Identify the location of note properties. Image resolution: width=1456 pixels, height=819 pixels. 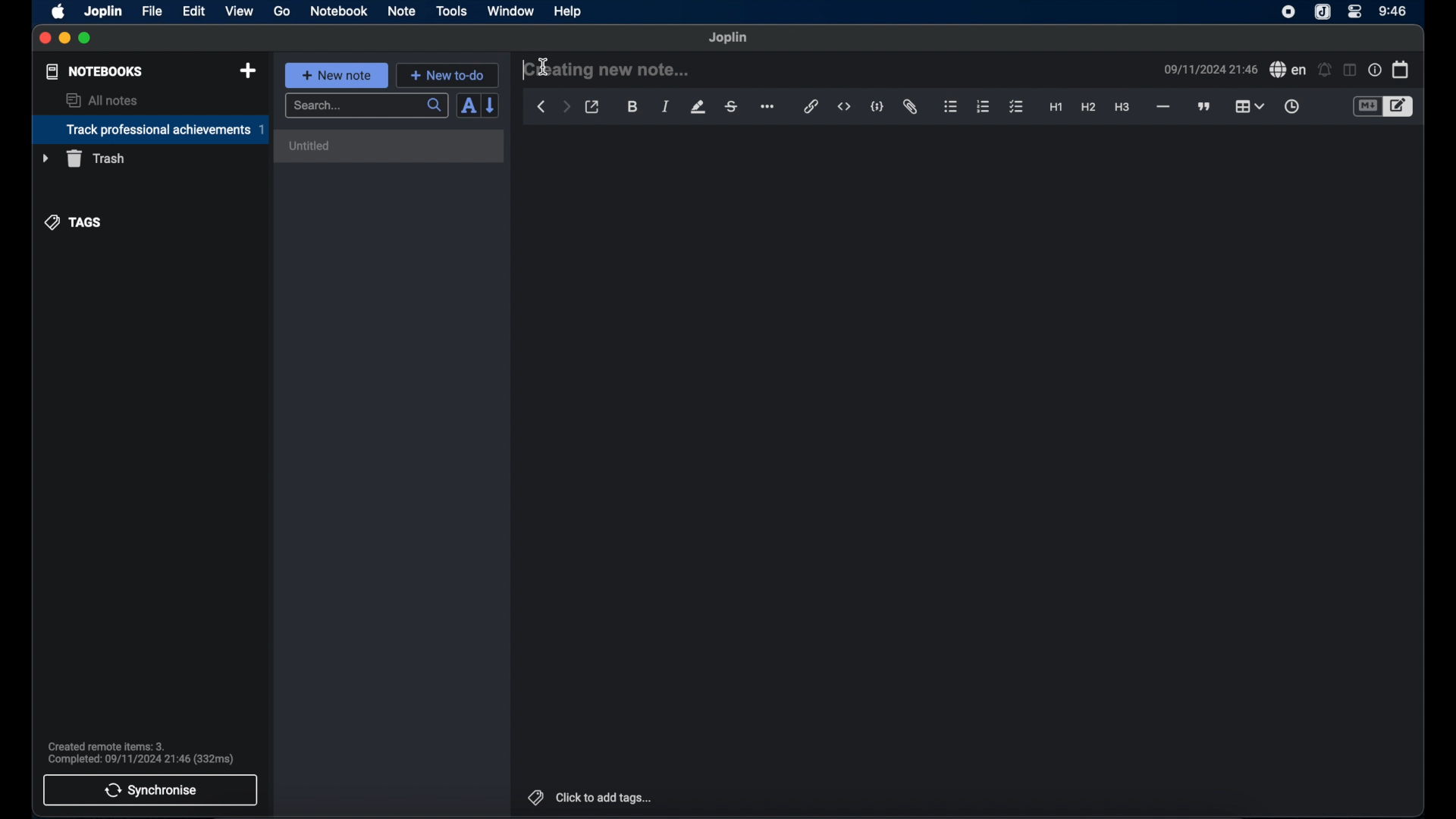
(1374, 70).